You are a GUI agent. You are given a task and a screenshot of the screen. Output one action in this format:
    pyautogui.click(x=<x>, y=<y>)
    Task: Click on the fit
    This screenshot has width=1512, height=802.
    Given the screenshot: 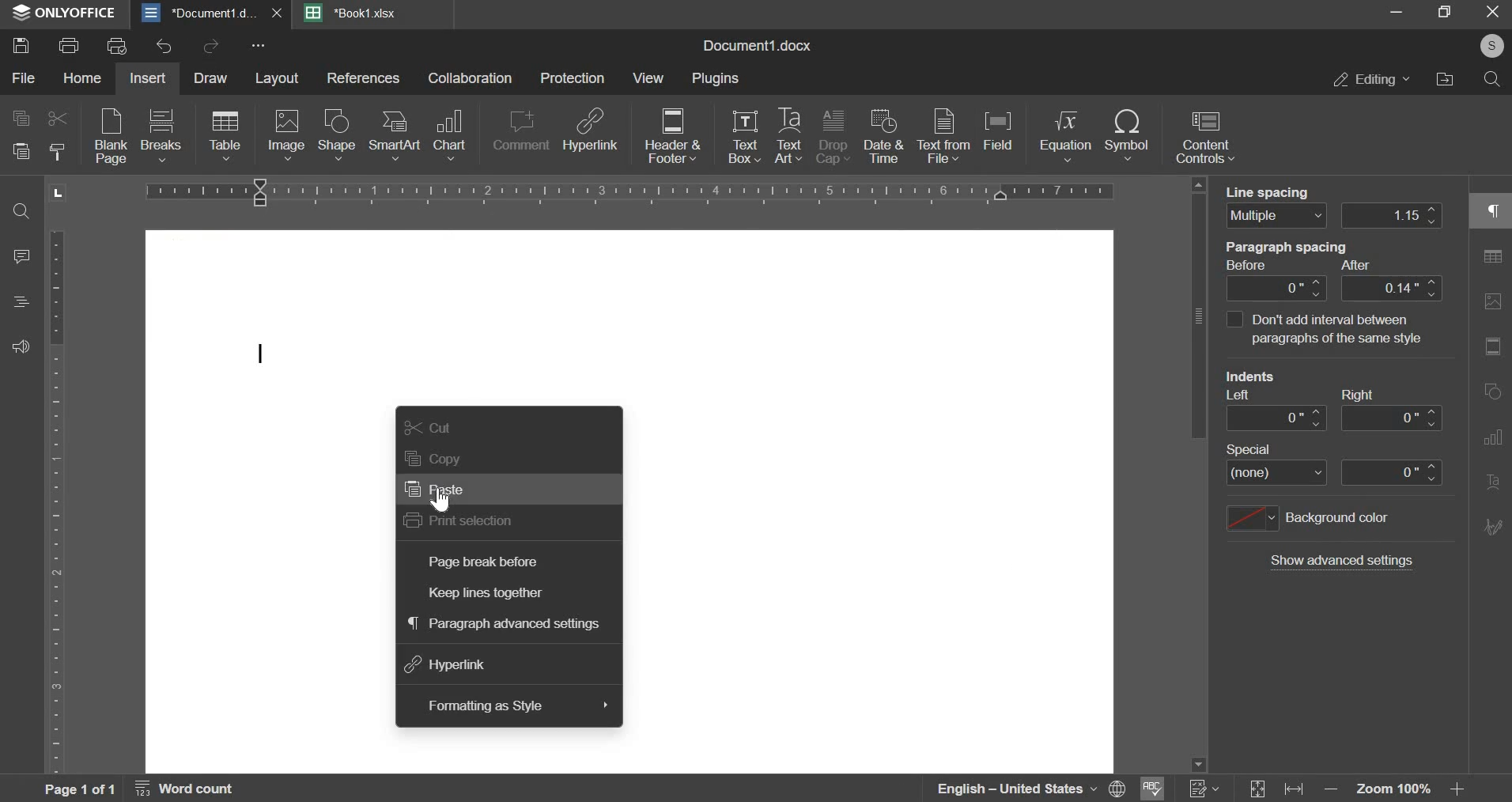 What is the action you would take?
    pyautogui.click(x=1277, y=788)
    